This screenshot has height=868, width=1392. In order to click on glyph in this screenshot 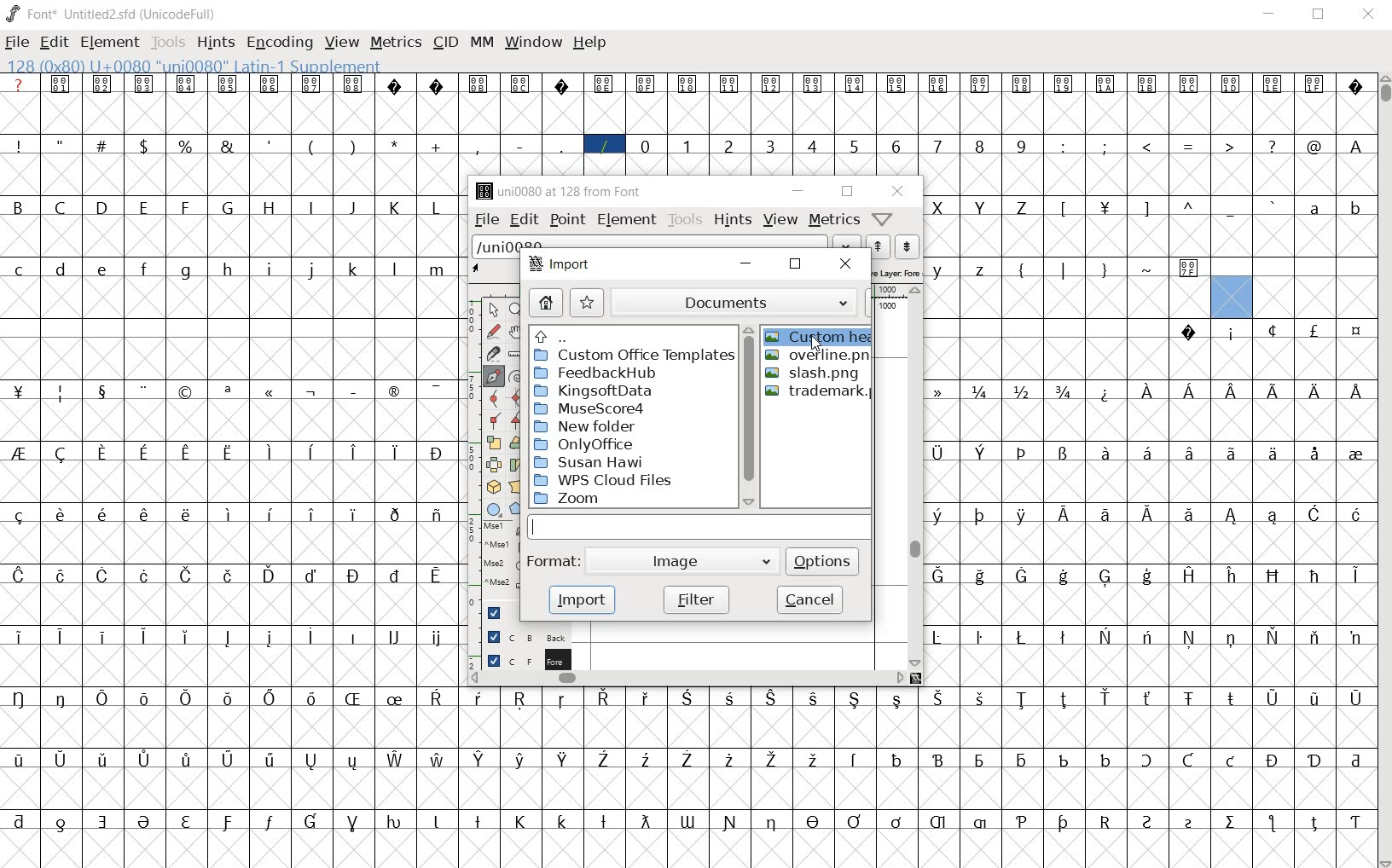, I will do `click(1189, 637)`.